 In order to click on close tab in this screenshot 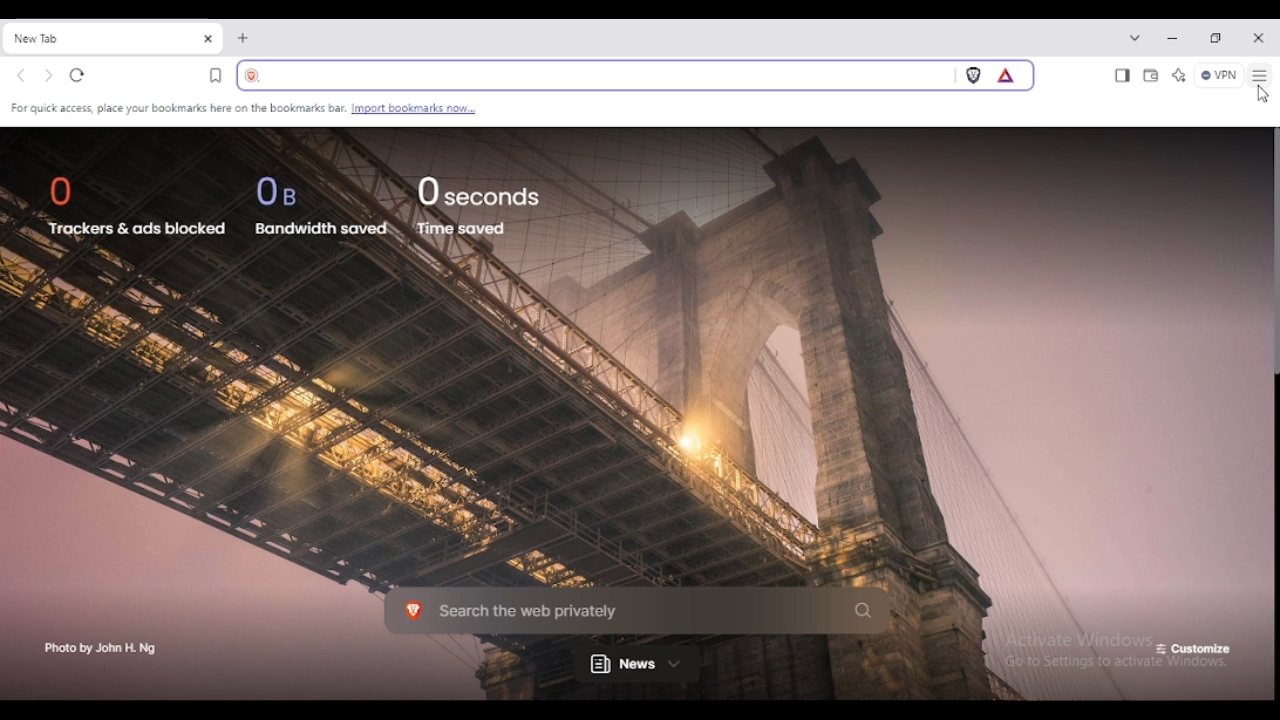, I will do `click(208, 39)`.